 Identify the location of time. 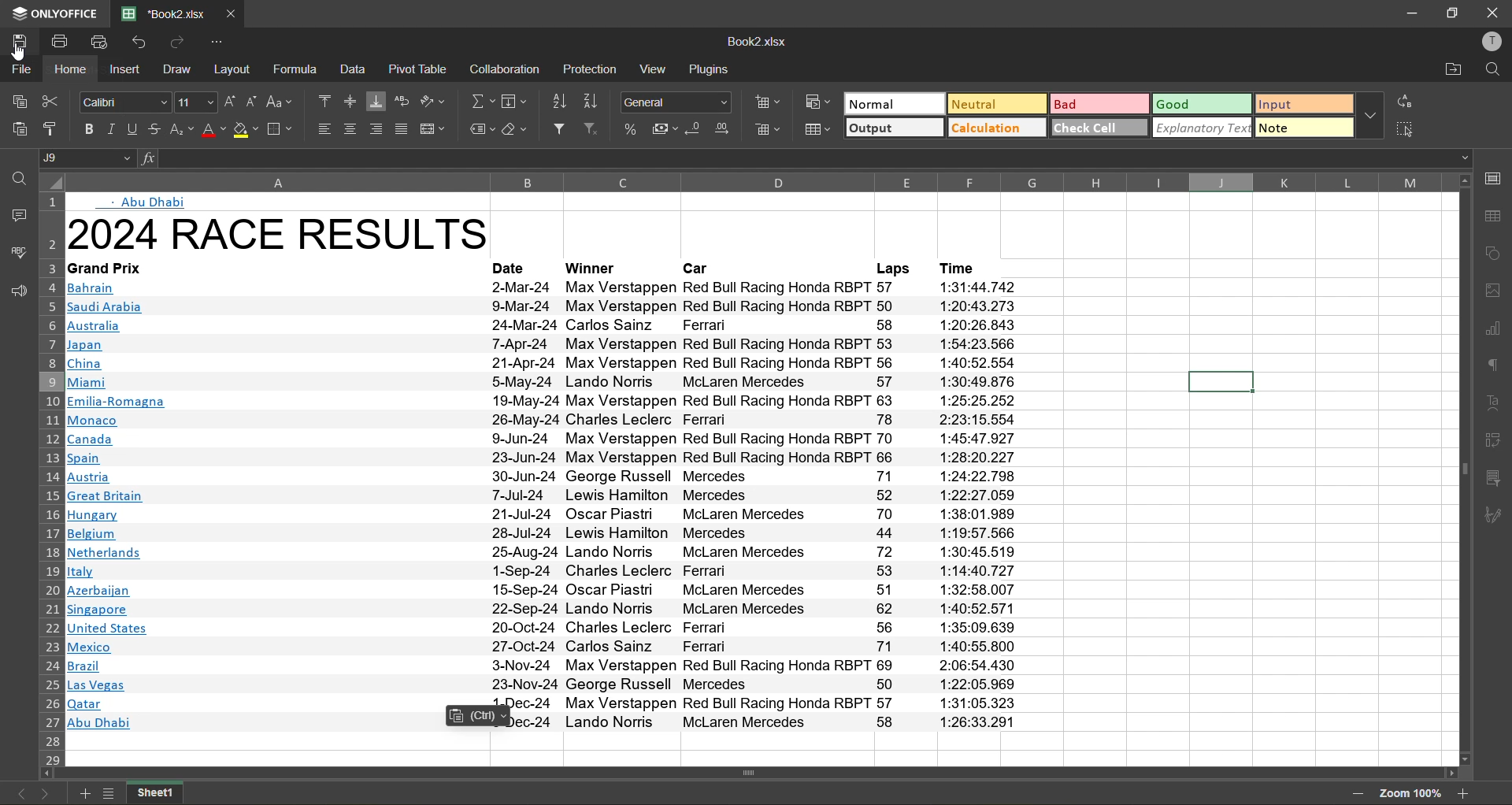
(969, 268).